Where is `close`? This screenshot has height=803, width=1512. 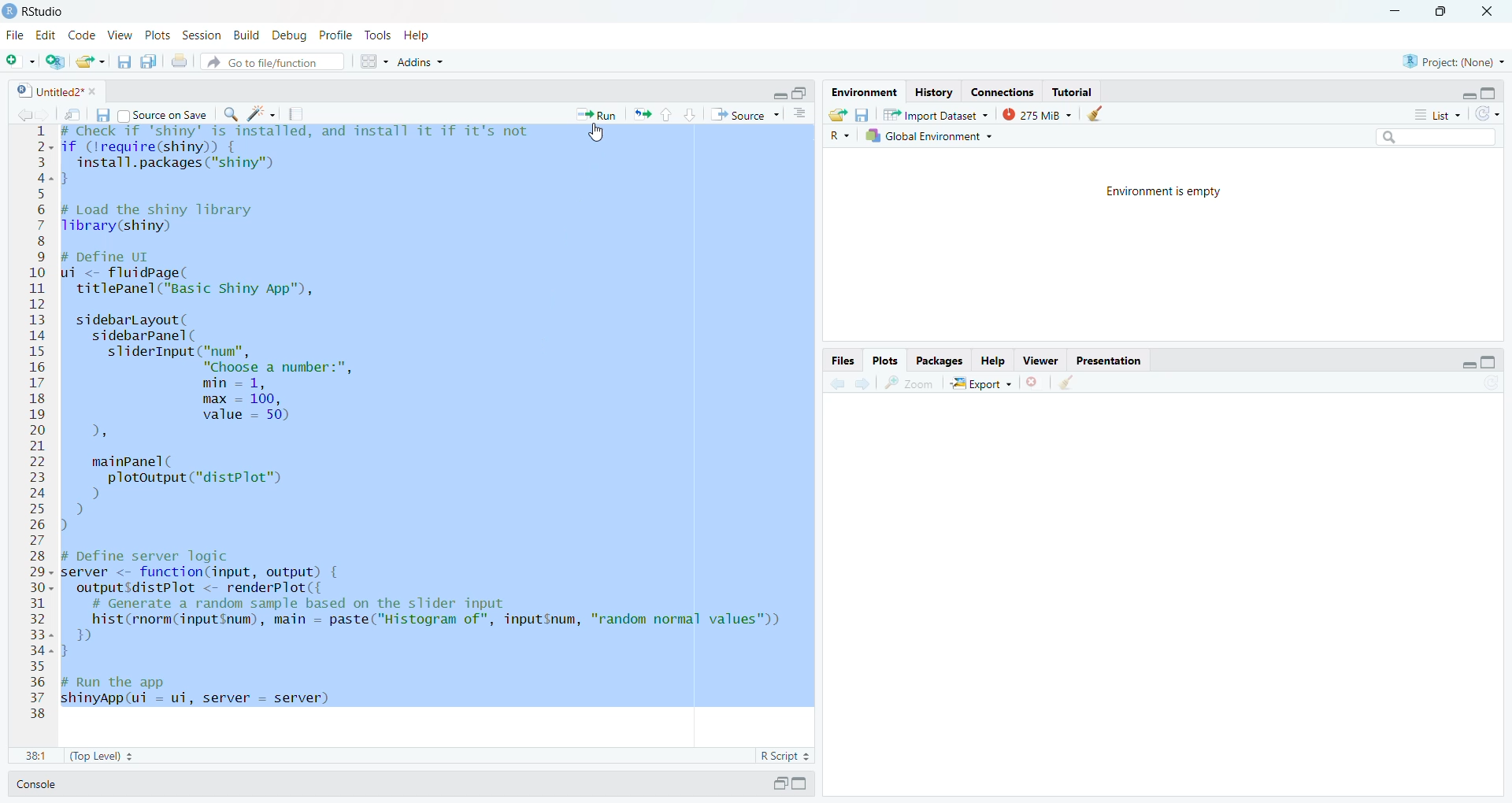
close is located at coordinates (1030, 382).